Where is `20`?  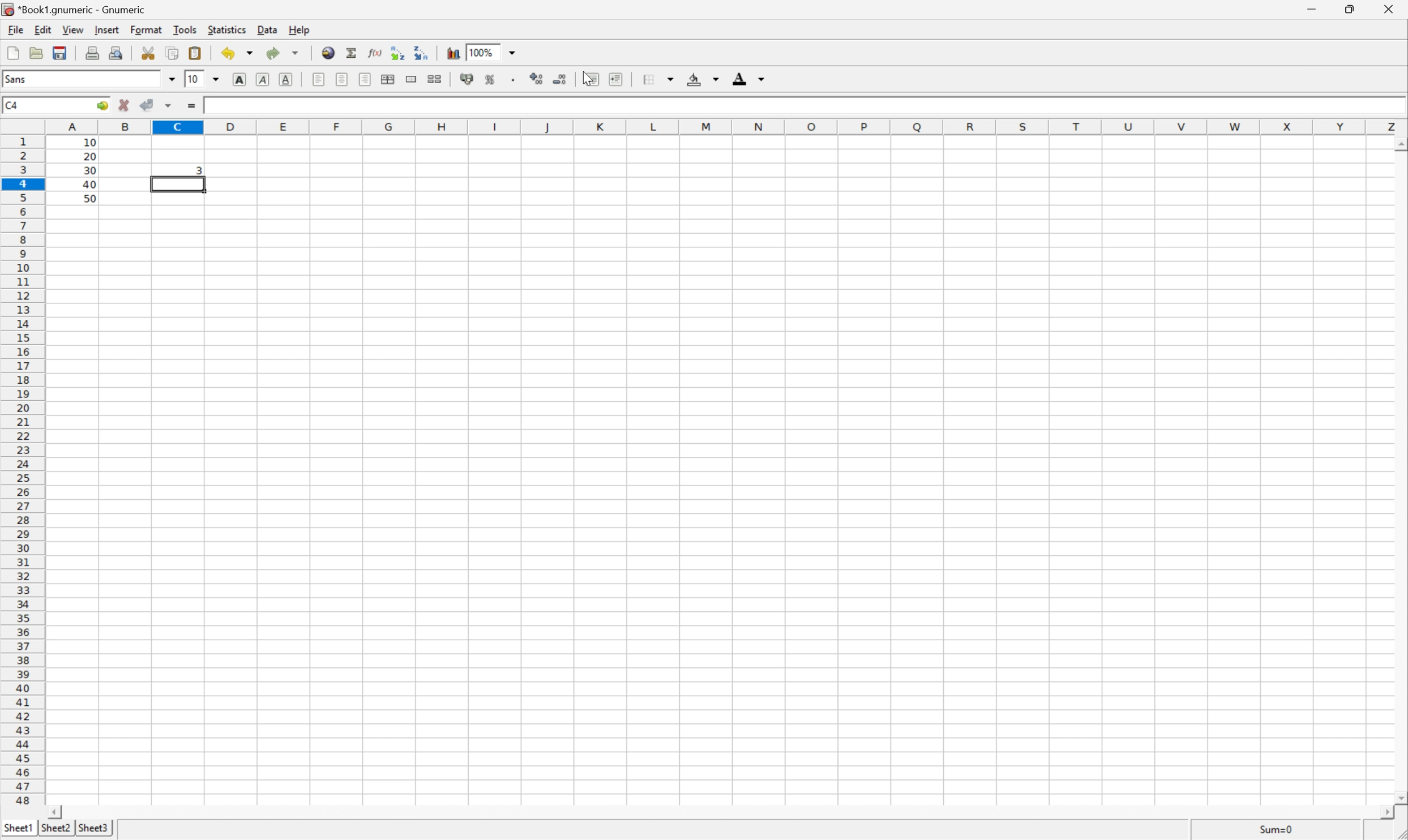
20 is located at coordinates (91, 156).